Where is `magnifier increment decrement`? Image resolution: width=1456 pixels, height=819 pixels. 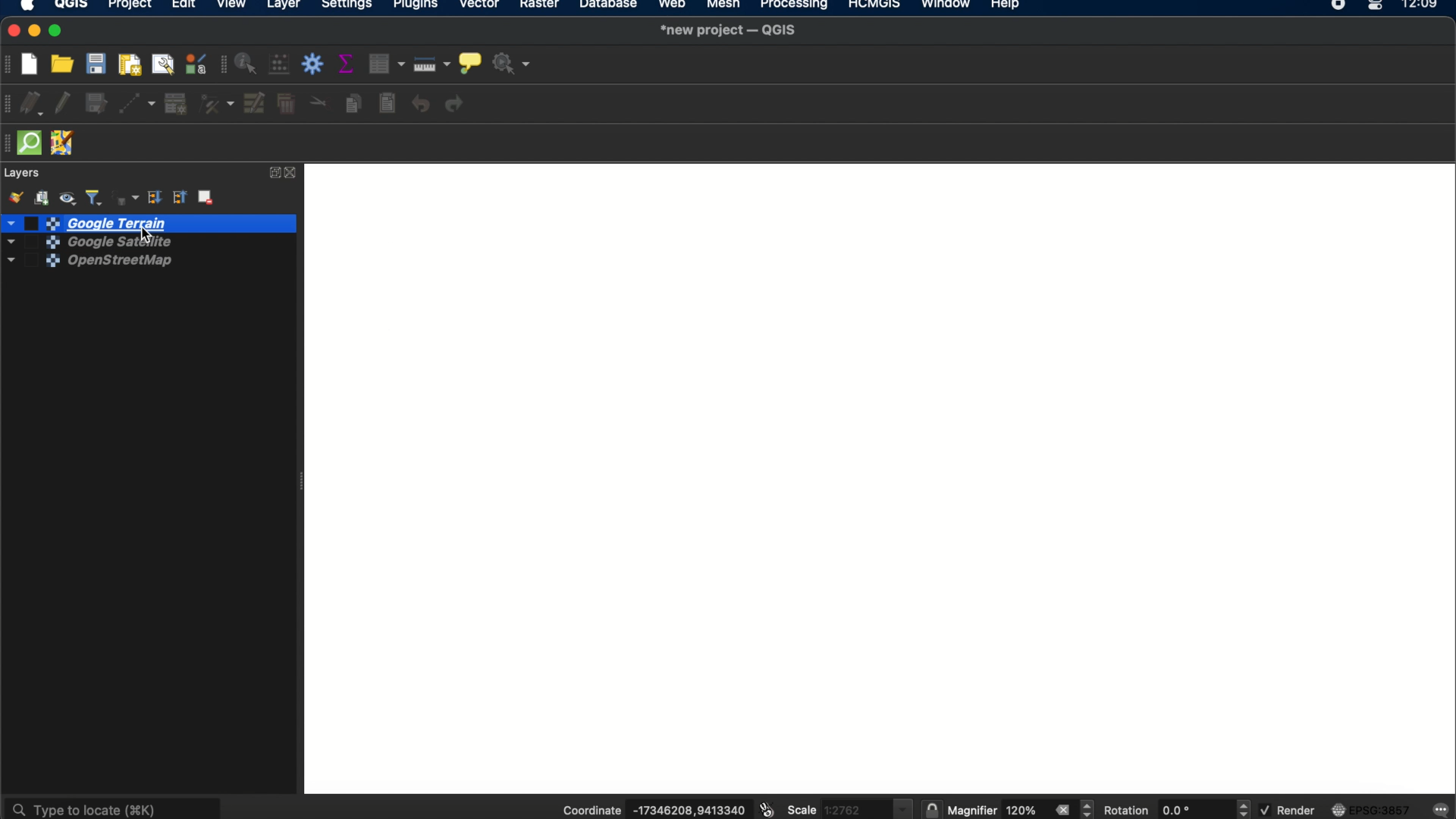
magnifier increment decrement is located at coordinates (1089, 808).